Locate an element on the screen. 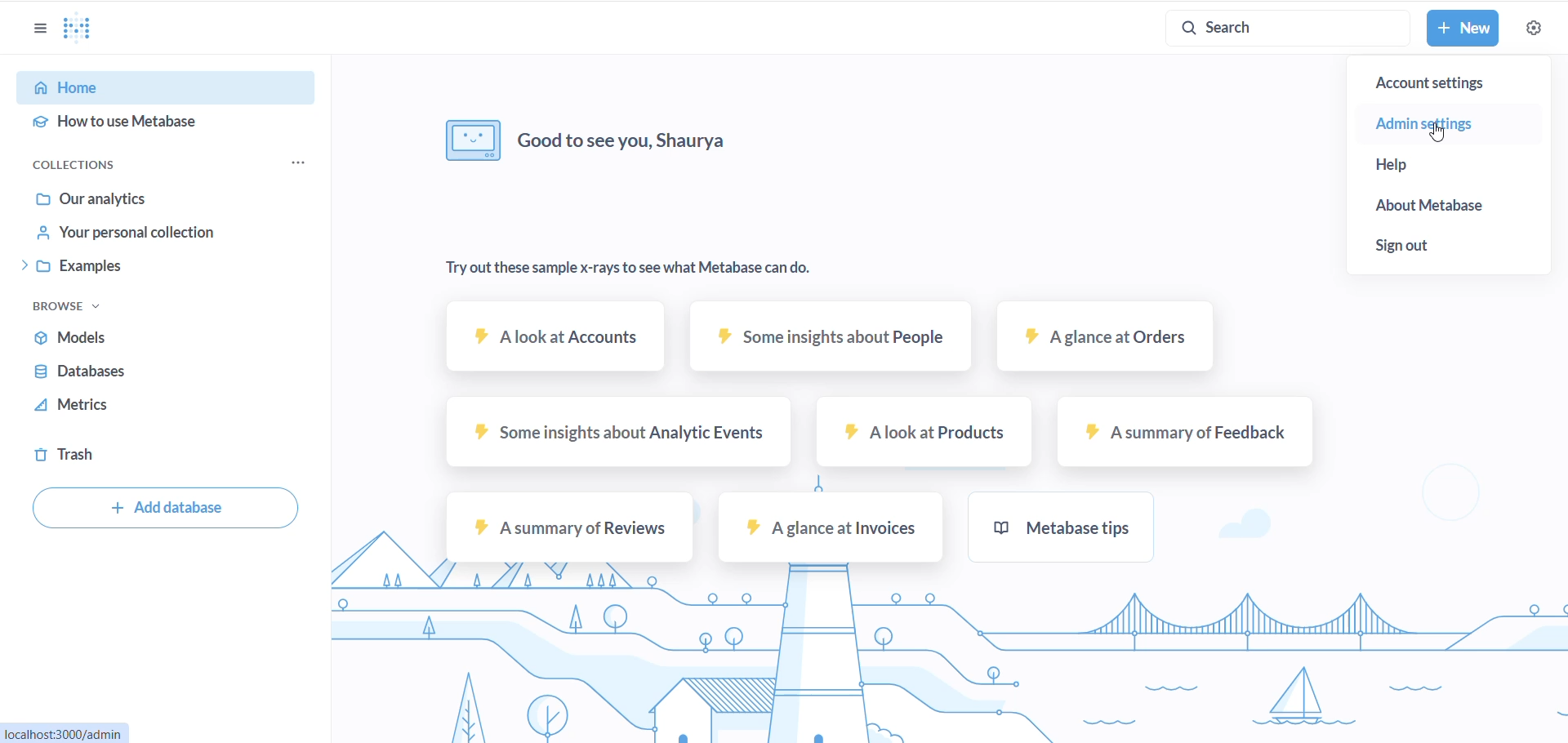  SEARCH BUTTON is located at coordinates (1281, 27).